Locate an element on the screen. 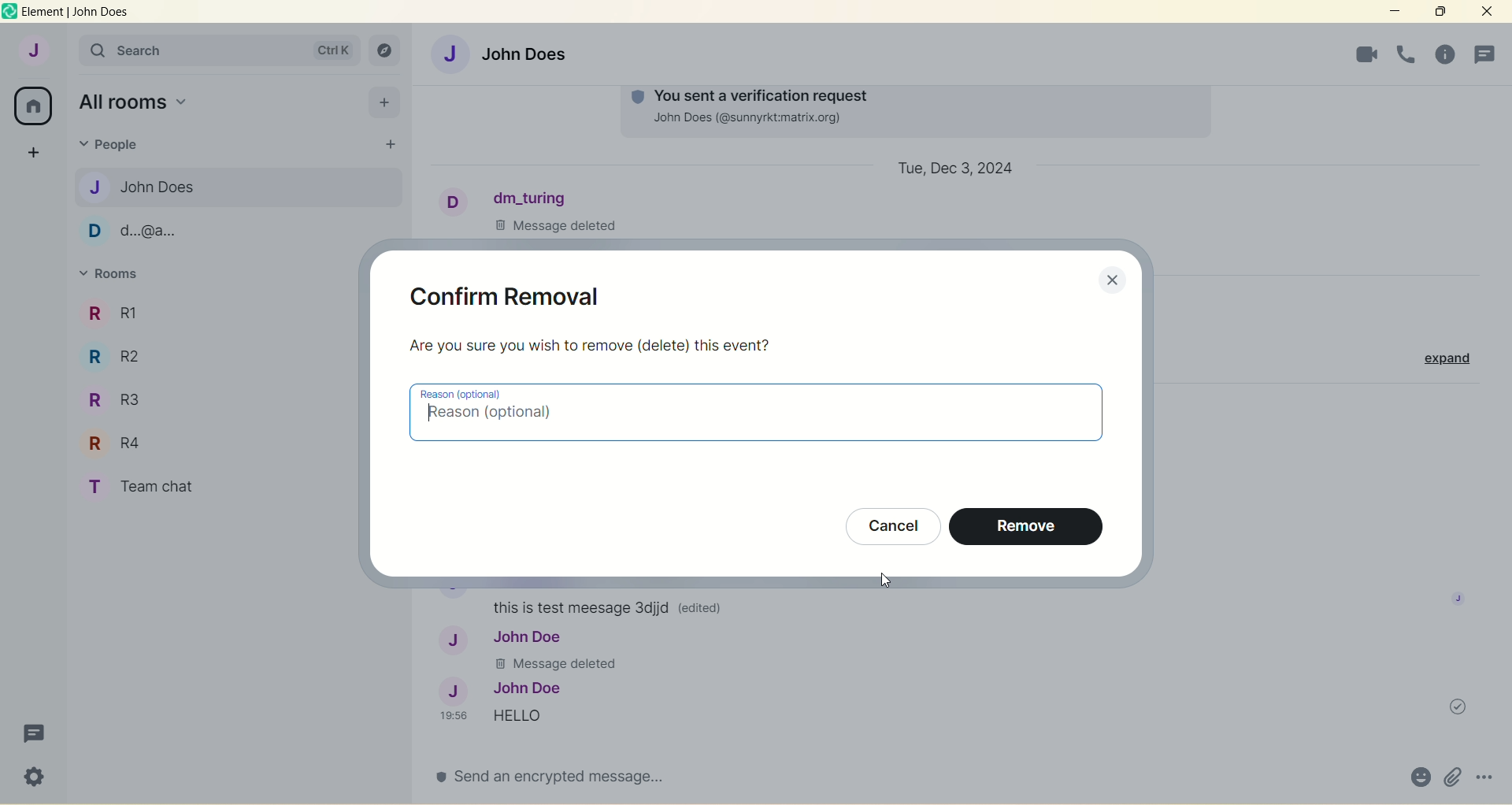  Message deleted is located at coordinates (564, 664).